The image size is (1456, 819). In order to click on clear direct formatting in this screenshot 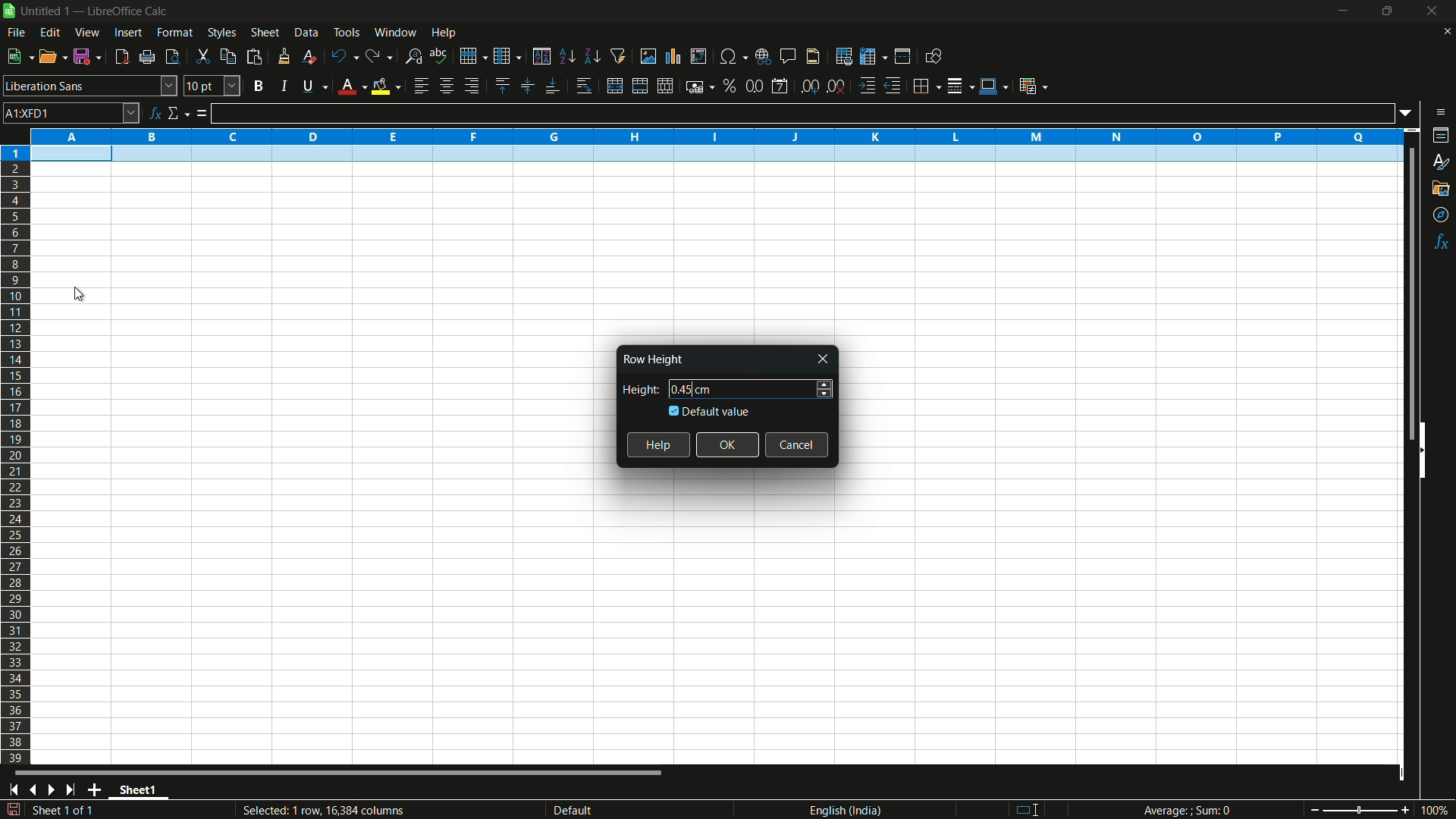, I will do `click(307, 56)`.